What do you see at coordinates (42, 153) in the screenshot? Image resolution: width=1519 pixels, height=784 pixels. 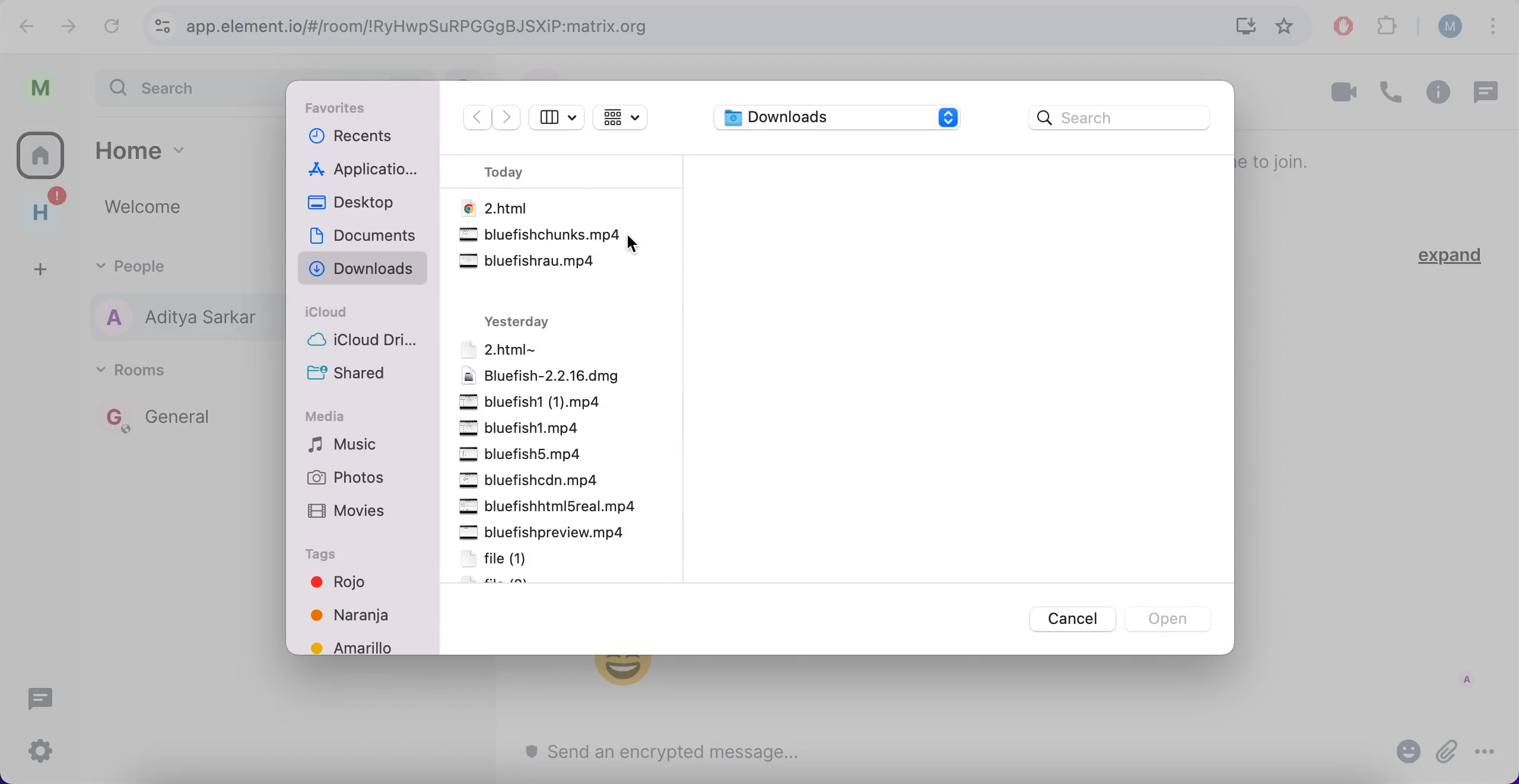 I see `rooms` at bounding box center [42, 153].